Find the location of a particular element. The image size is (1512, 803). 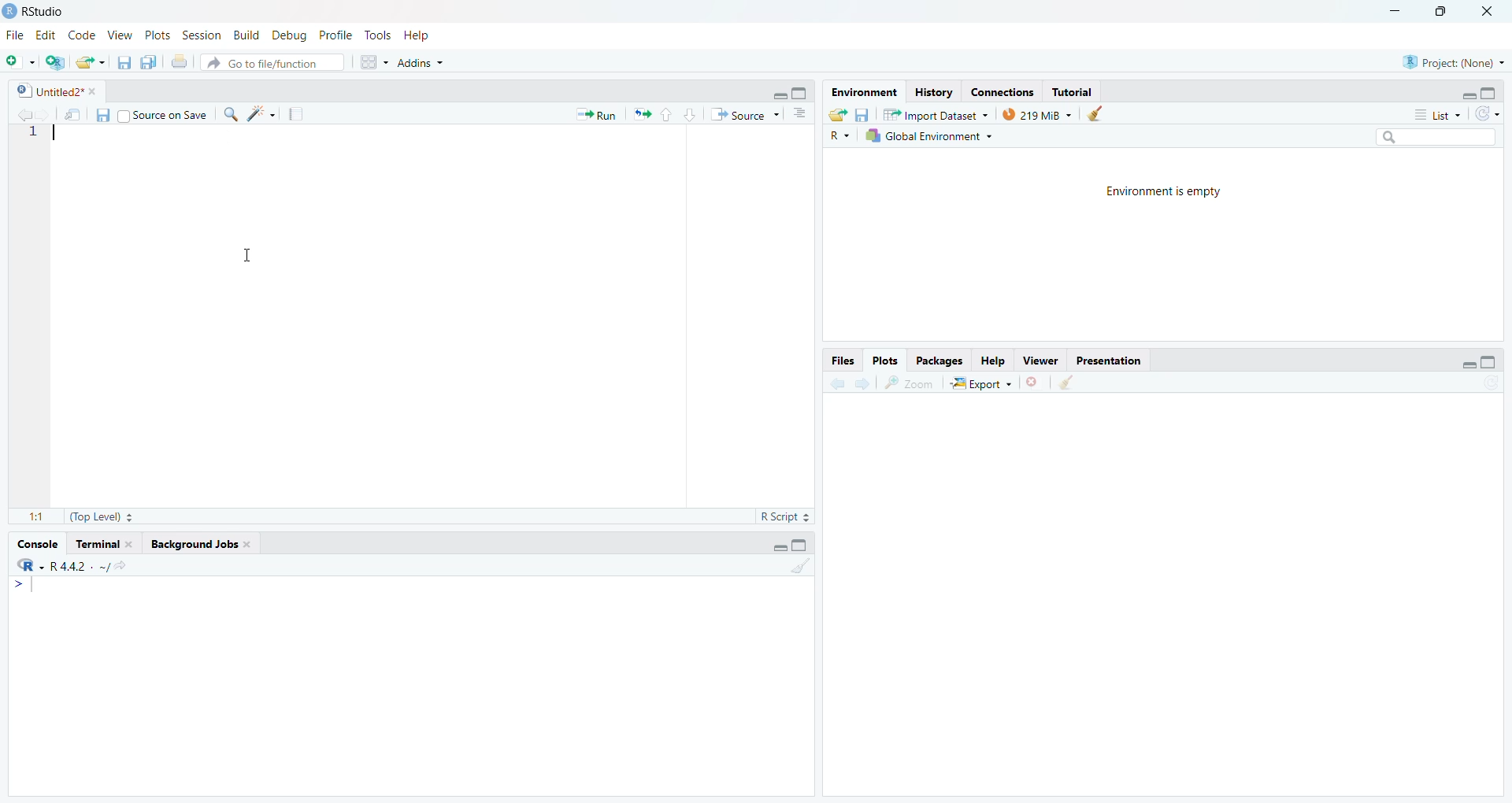

Clear is located at coordinates (1065, 383).